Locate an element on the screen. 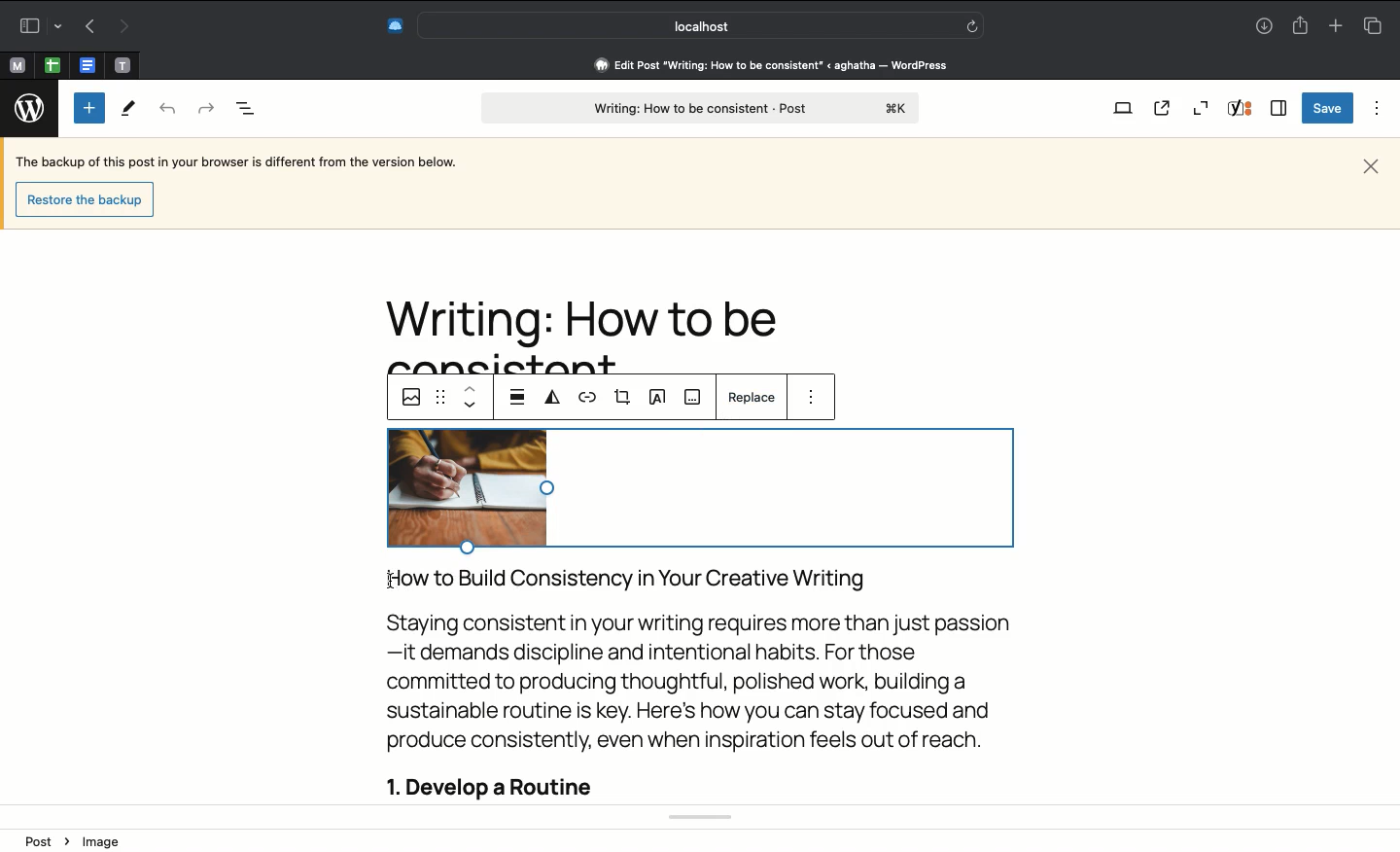 This screenshot has width=1400, height=852. Sidebar is located at coordinates (1279, 107).